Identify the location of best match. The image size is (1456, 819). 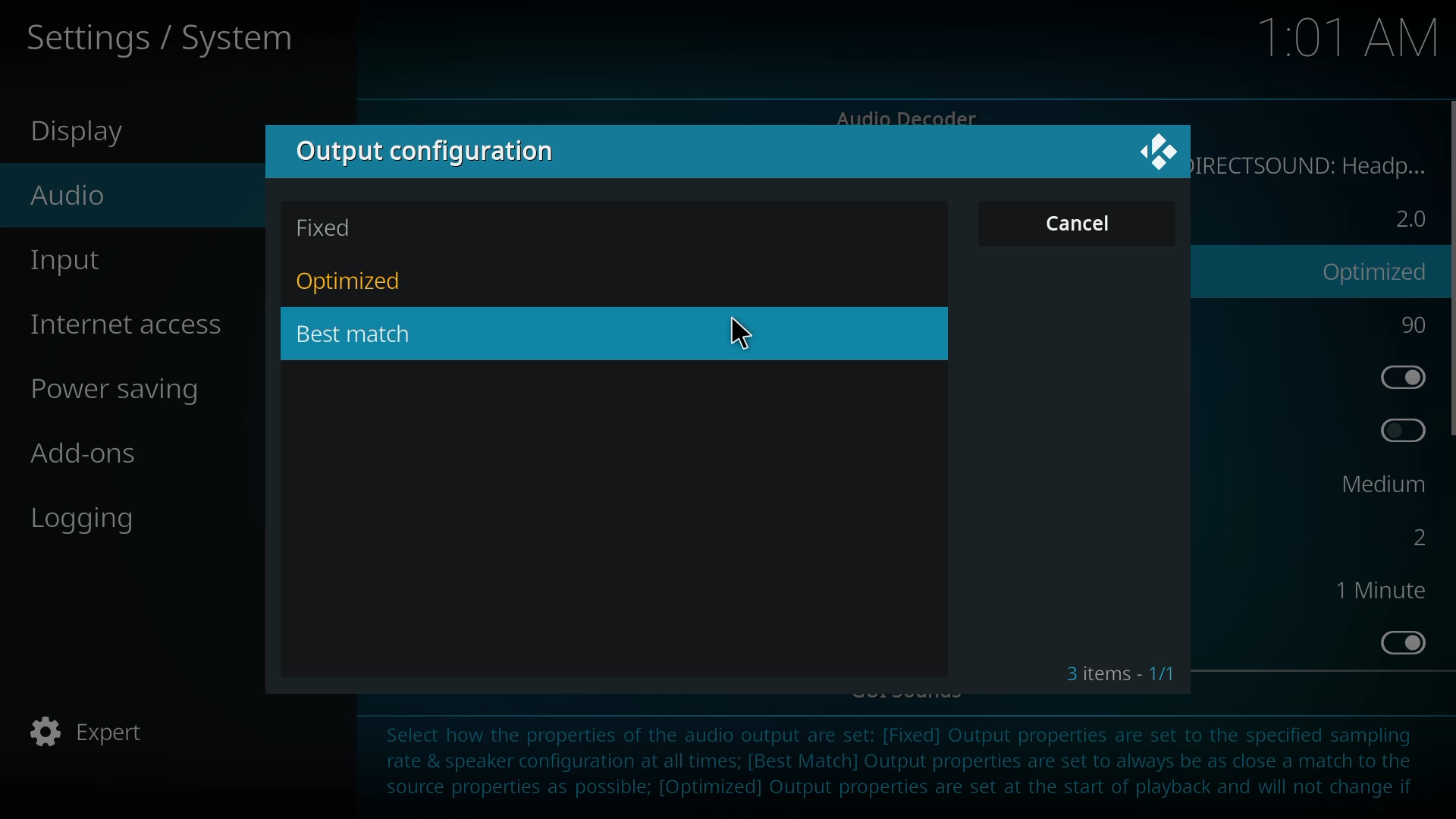
(356, 334).